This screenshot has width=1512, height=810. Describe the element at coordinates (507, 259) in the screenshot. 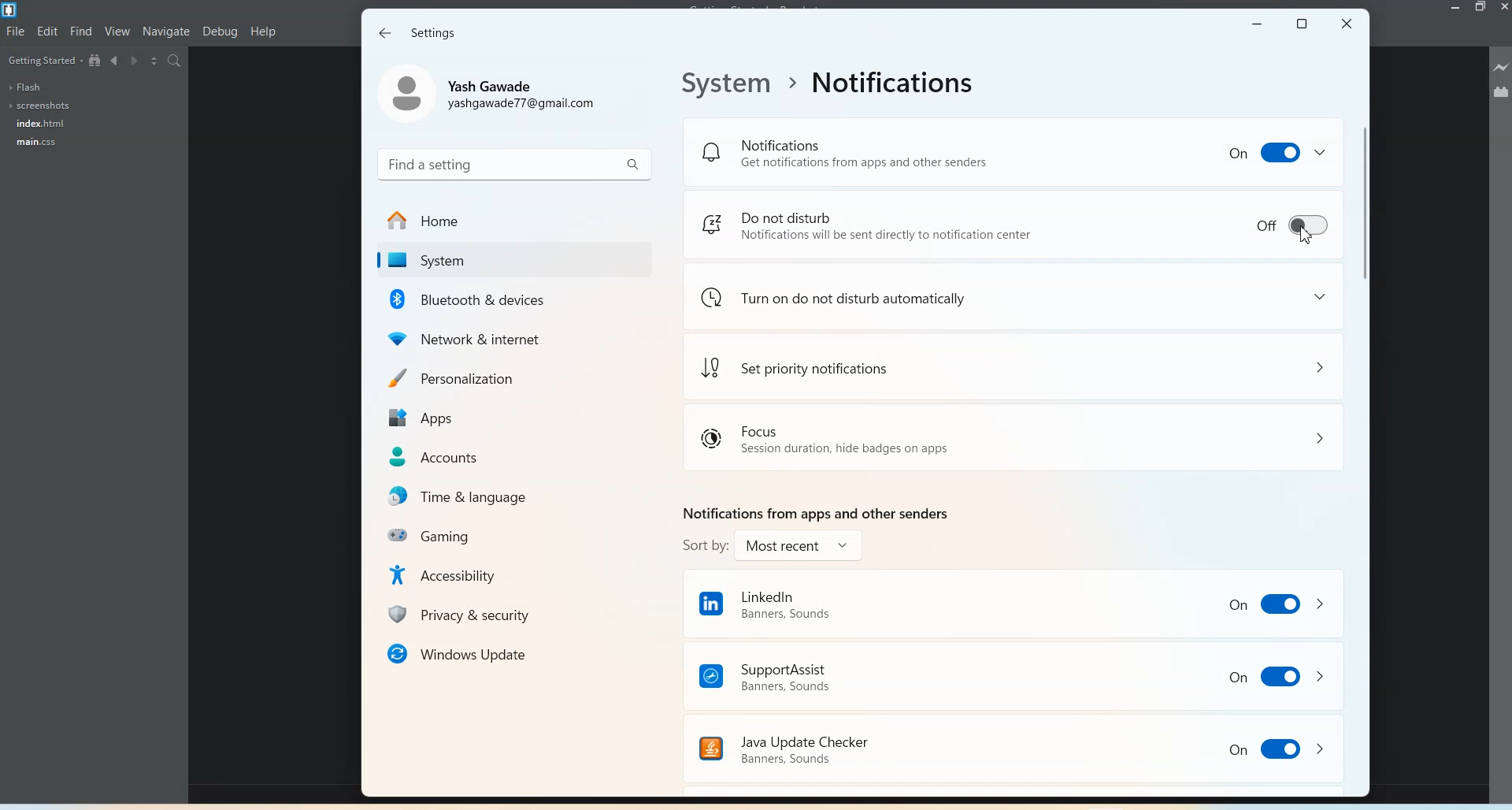

I see `system` at that location.